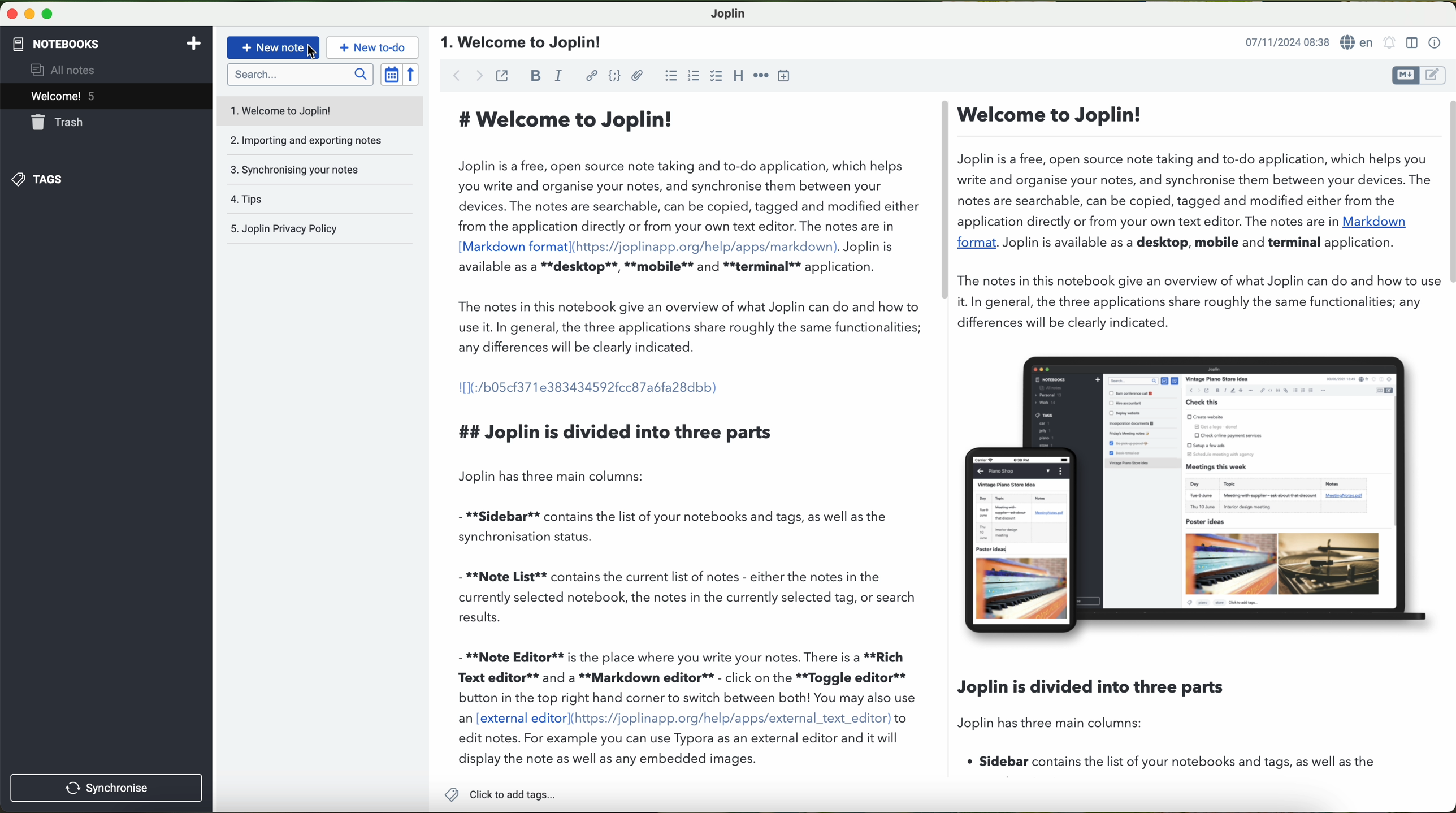 The height and width of the screenshot is (813, 1456). Describe the element at coordinates (638, 75) in the screenshot. I see `attach file` at that location.